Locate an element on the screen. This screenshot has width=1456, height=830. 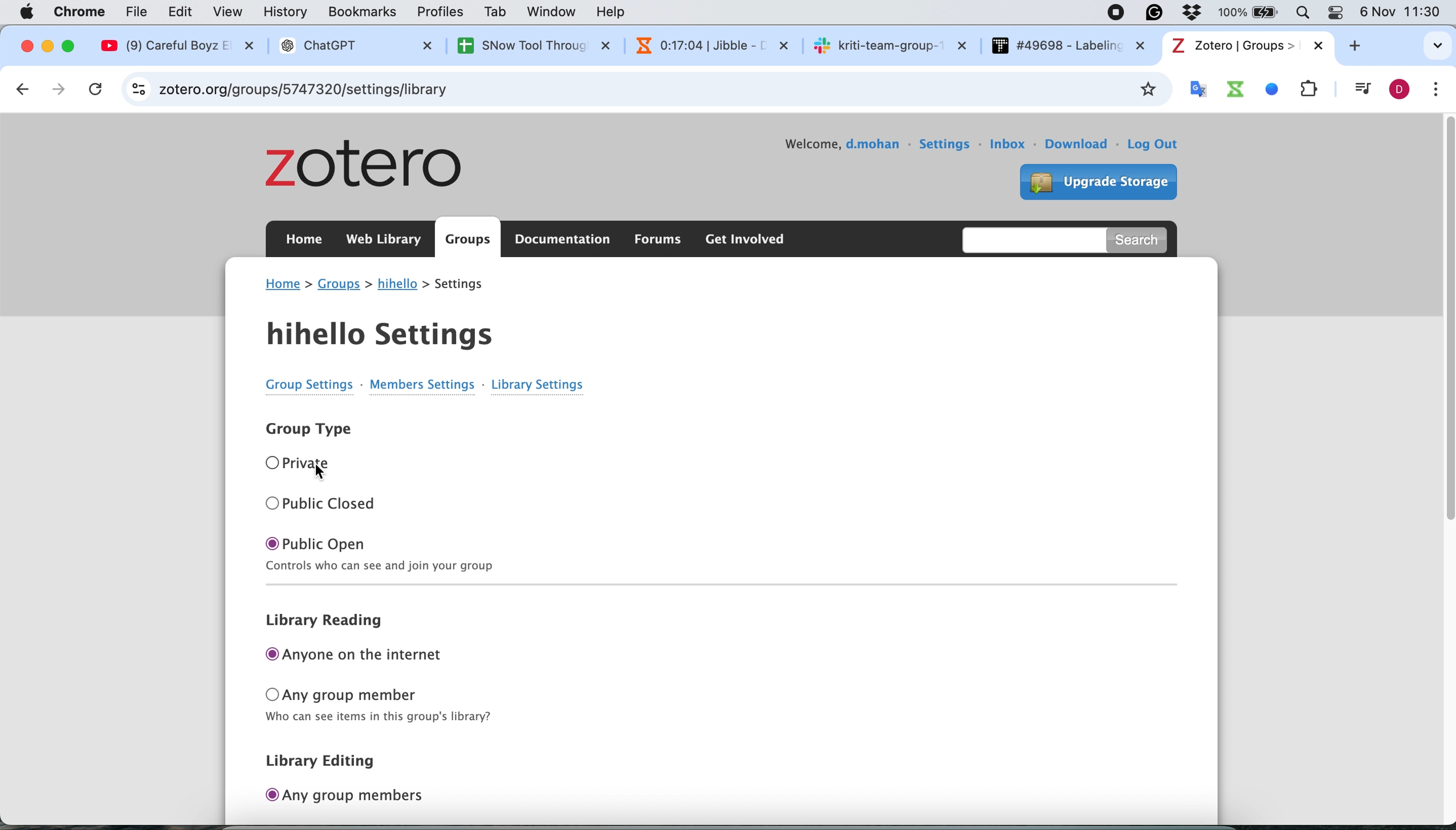
tab name is located at coordinates (1246, 46).